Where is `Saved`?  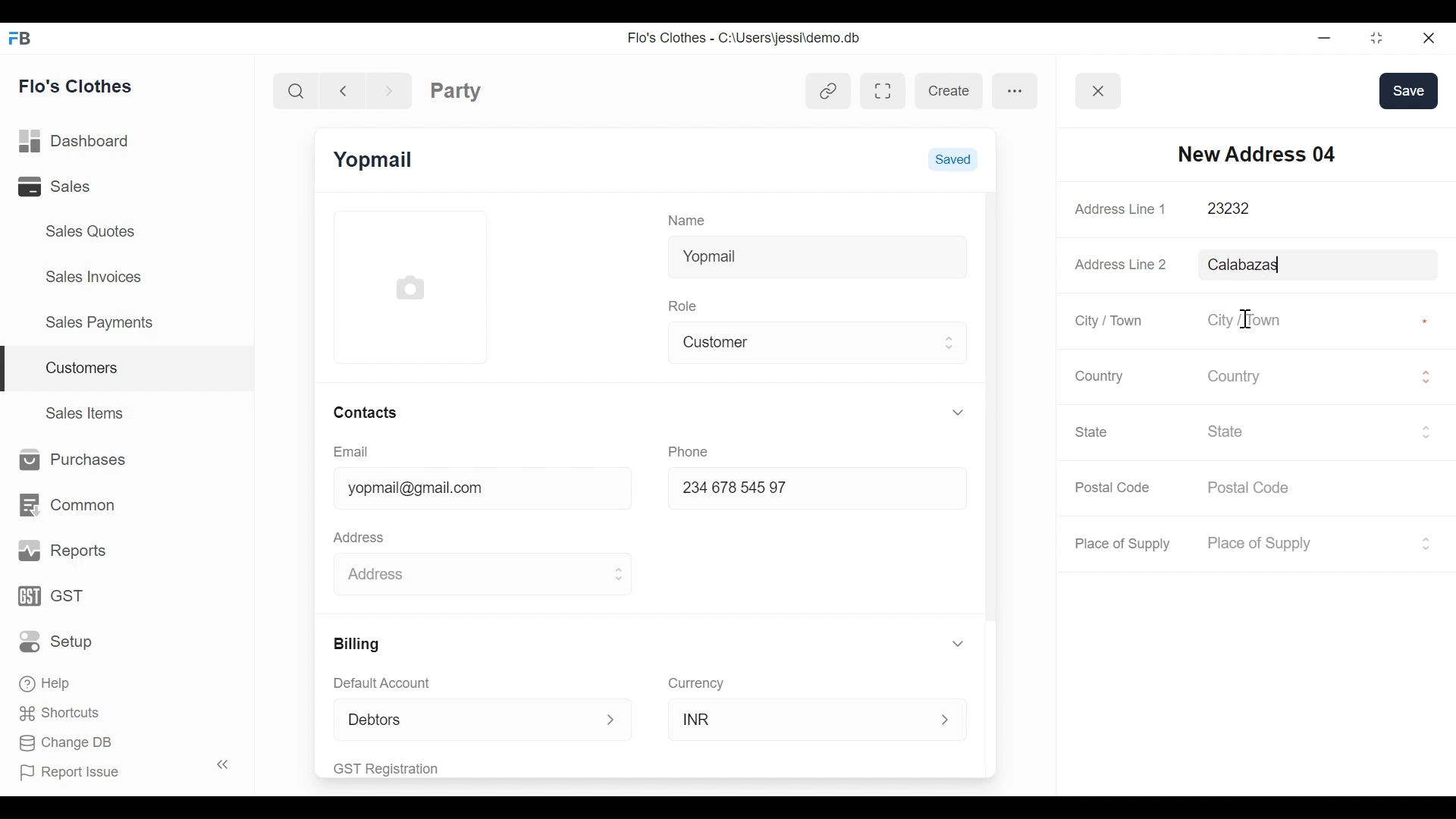 Saved is located at coordinates (952, 158).